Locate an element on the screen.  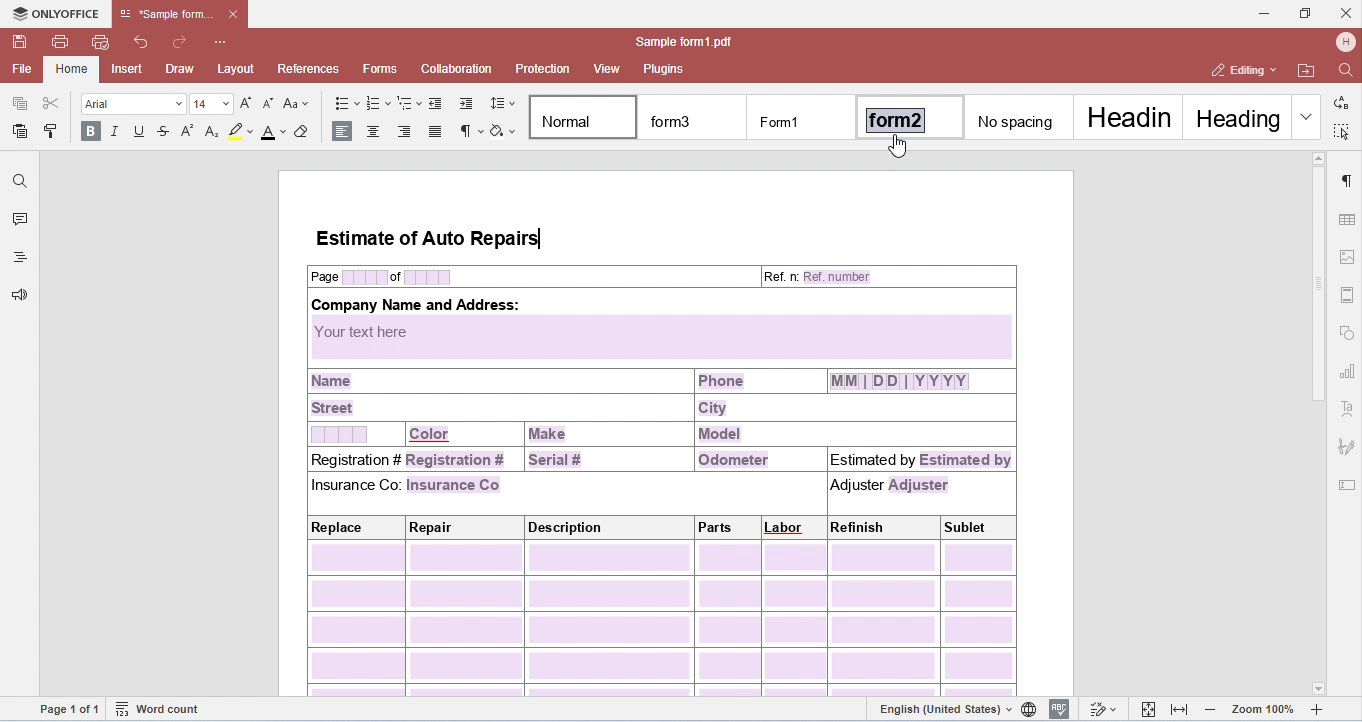
sample form1.pdf is located at coordinates (678, 42).